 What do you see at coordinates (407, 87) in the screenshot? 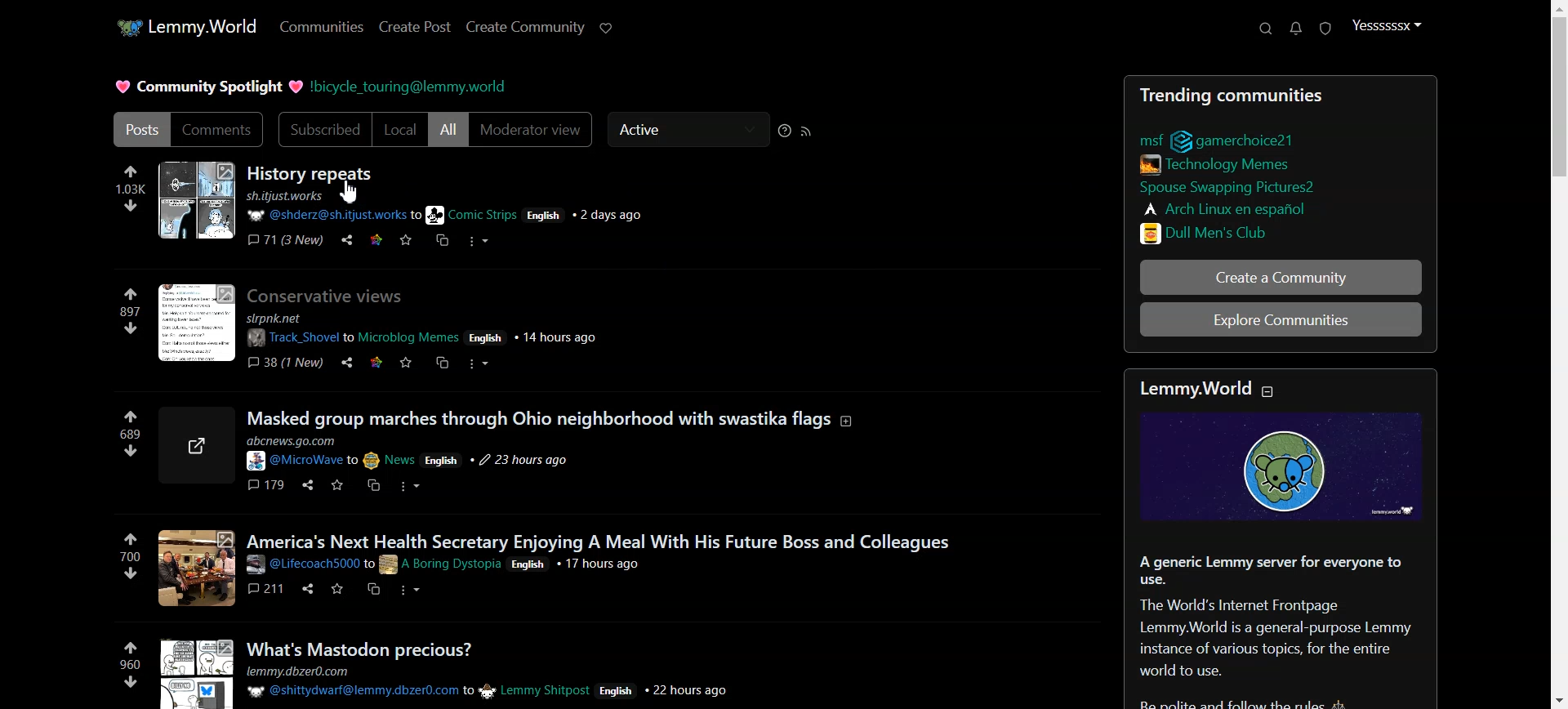
I see `bicycle_touring@lemmy.world` at bounding box center [407, 87].